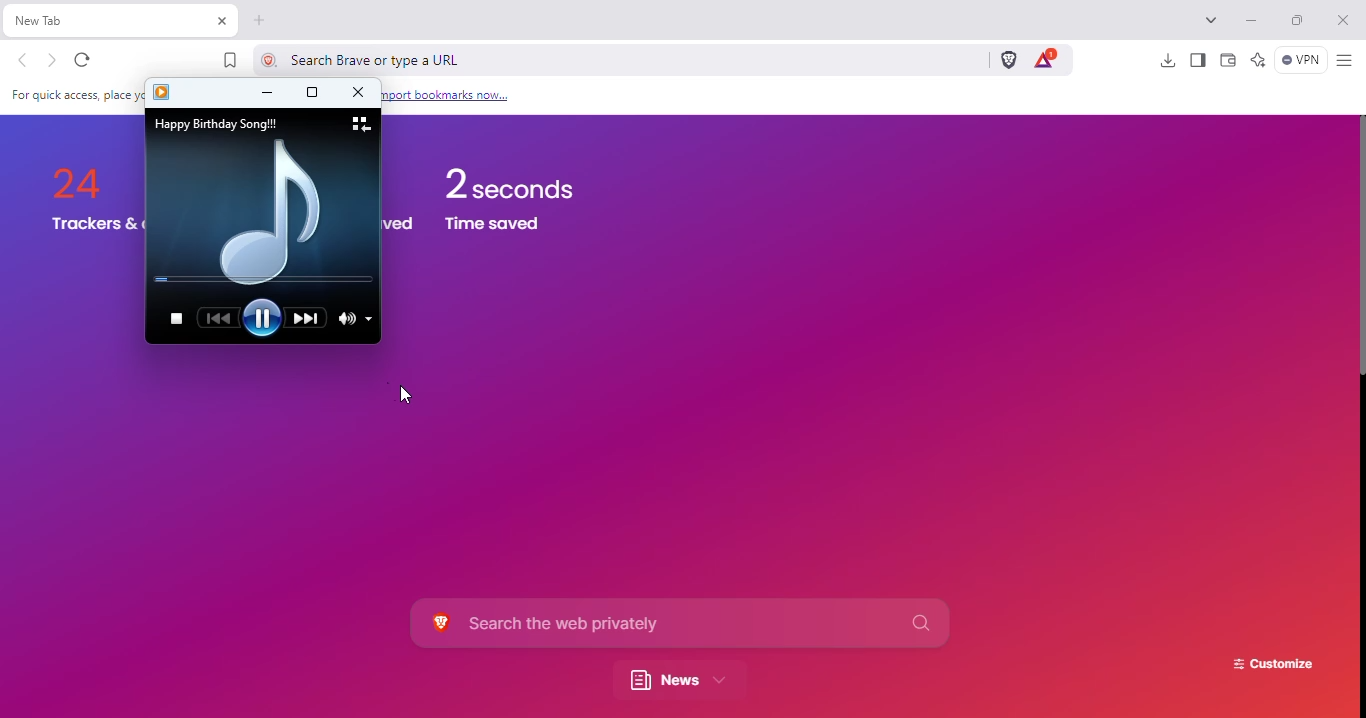  Describe the element at coordinates (267, 92) in the screenshot. I see `minimize` at that location.